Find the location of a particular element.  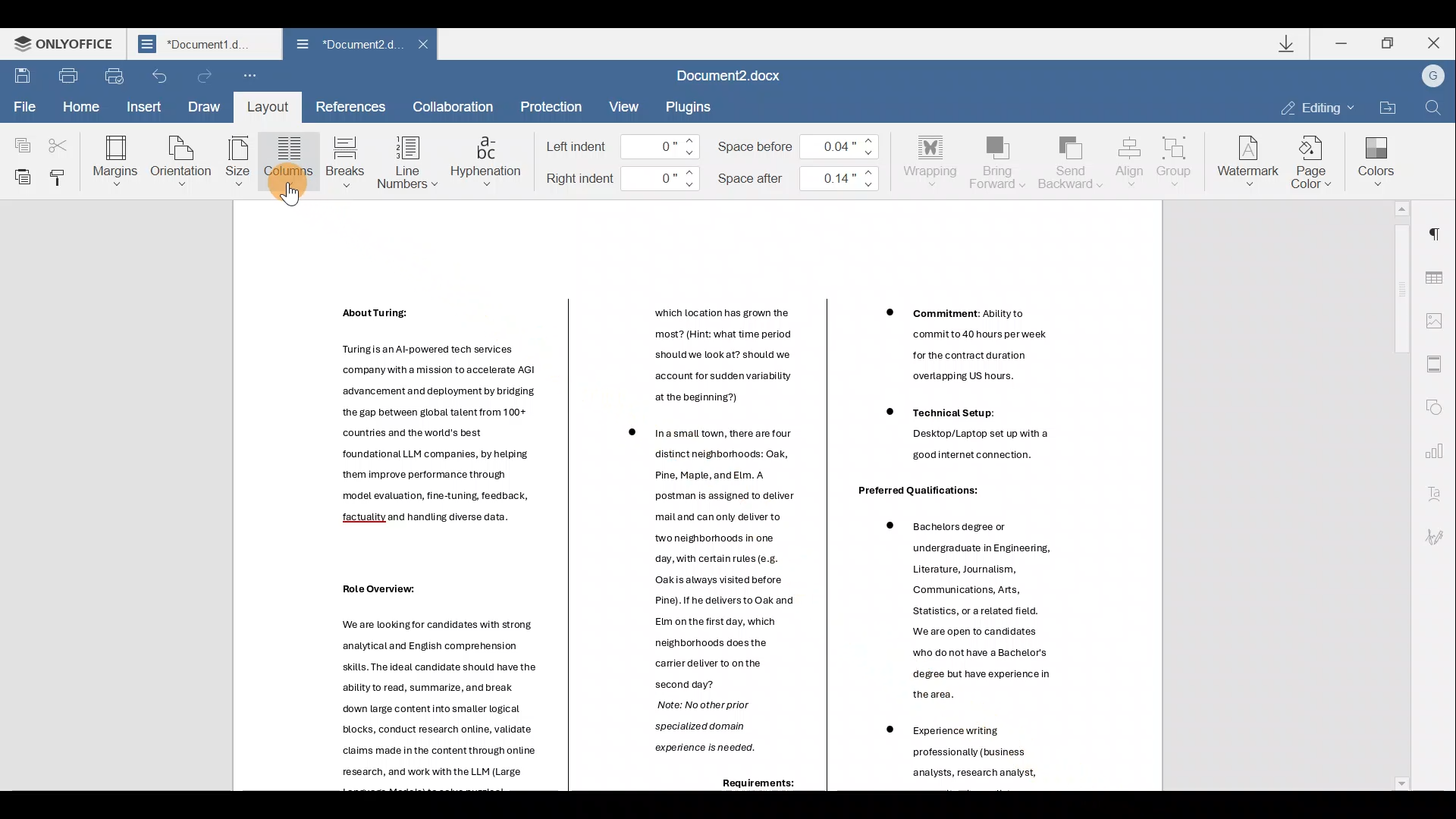

Document2.d is located at coordinates (204, 48).